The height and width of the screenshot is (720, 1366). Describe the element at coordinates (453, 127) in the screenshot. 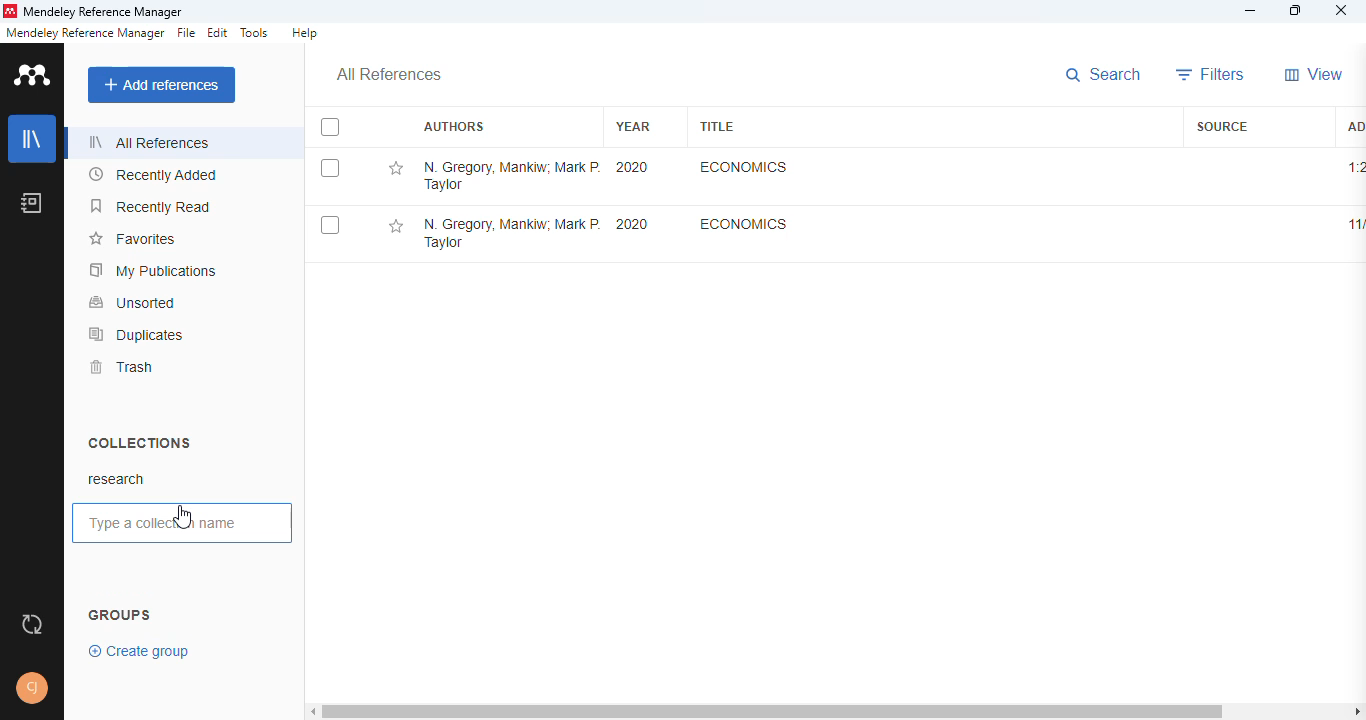

I see `authors` at that location.